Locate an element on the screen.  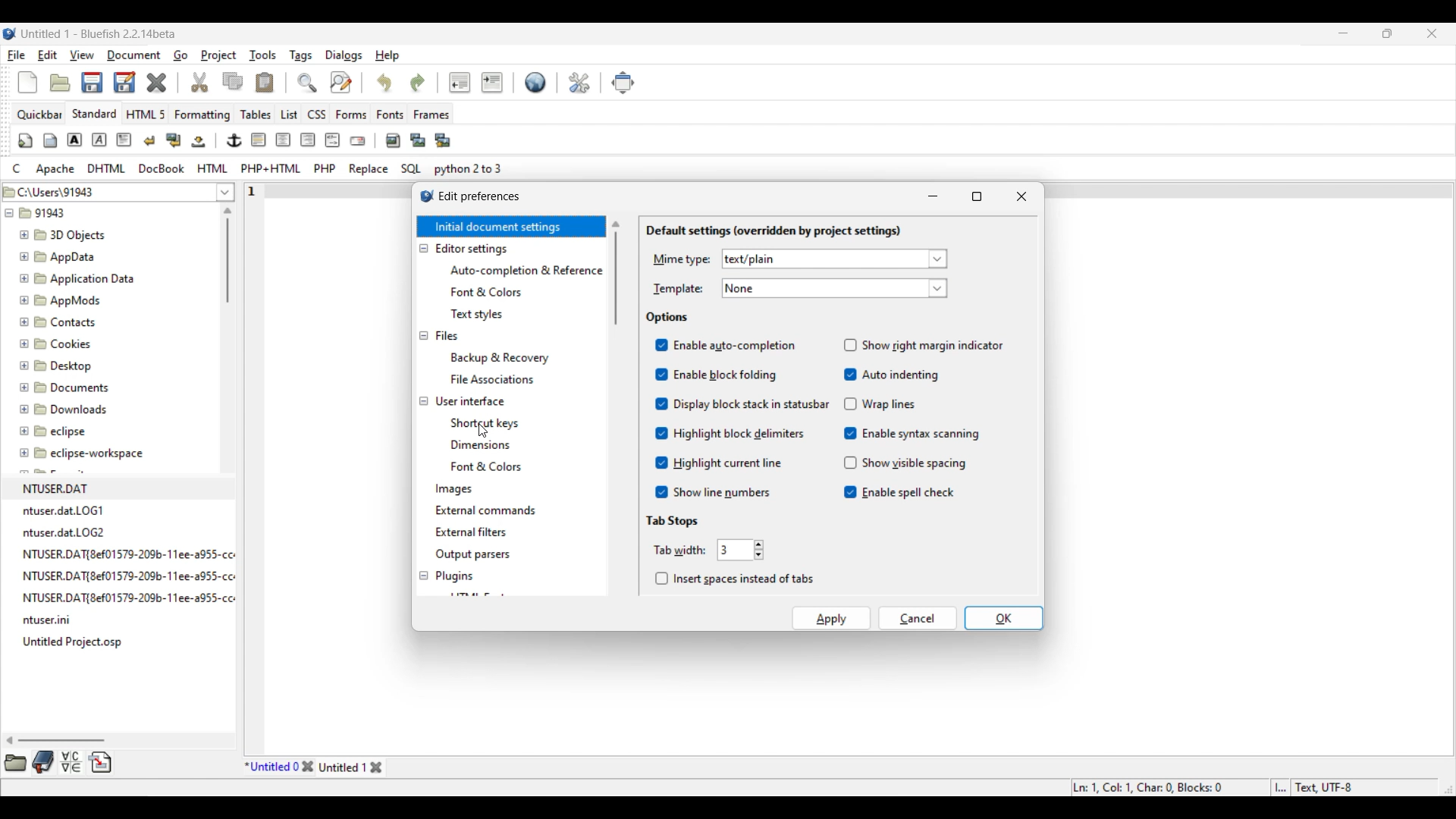
cursor is located at coordinates (485, 431).